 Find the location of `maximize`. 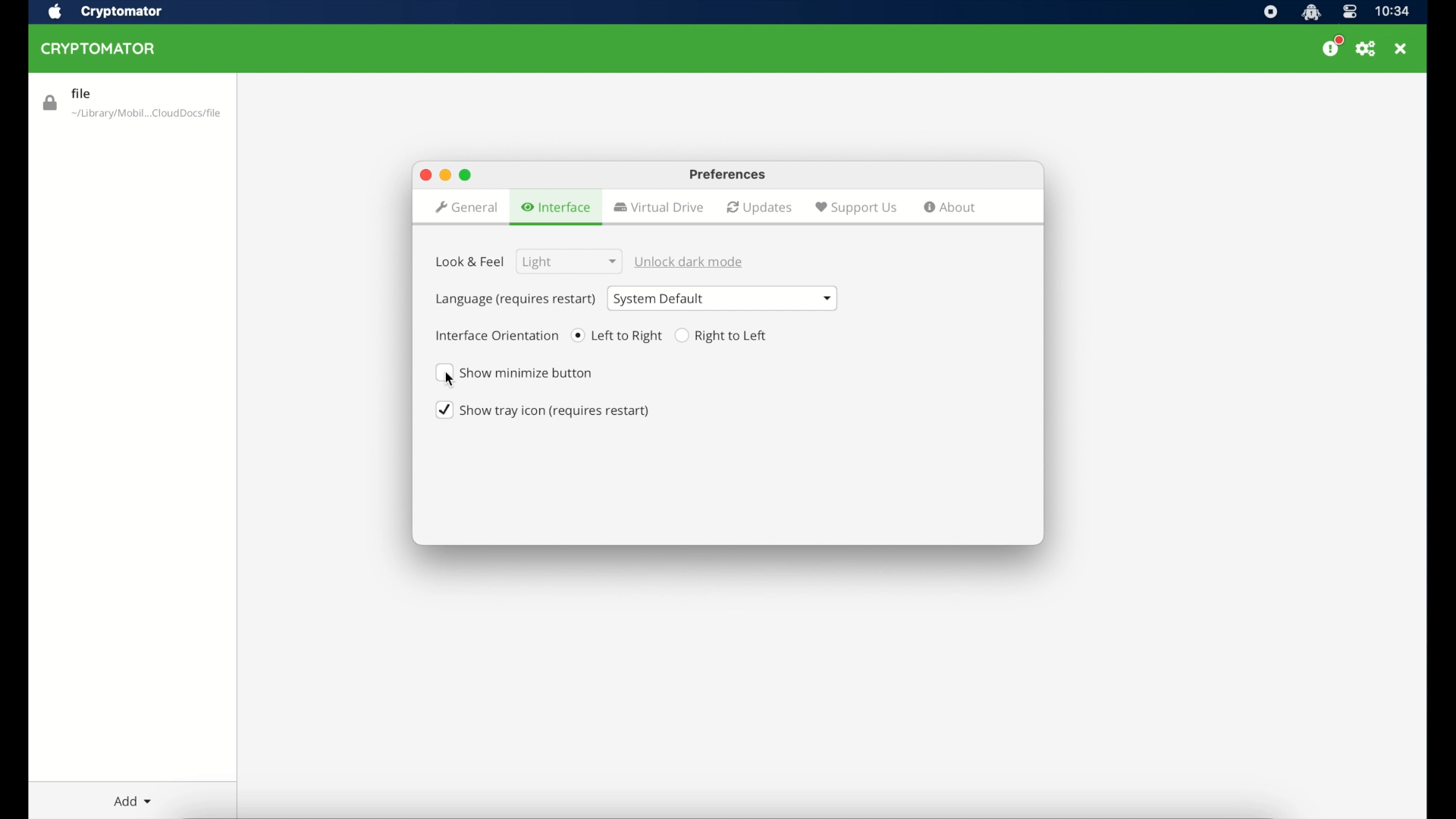

maximize is located at coordinates (425, 175).